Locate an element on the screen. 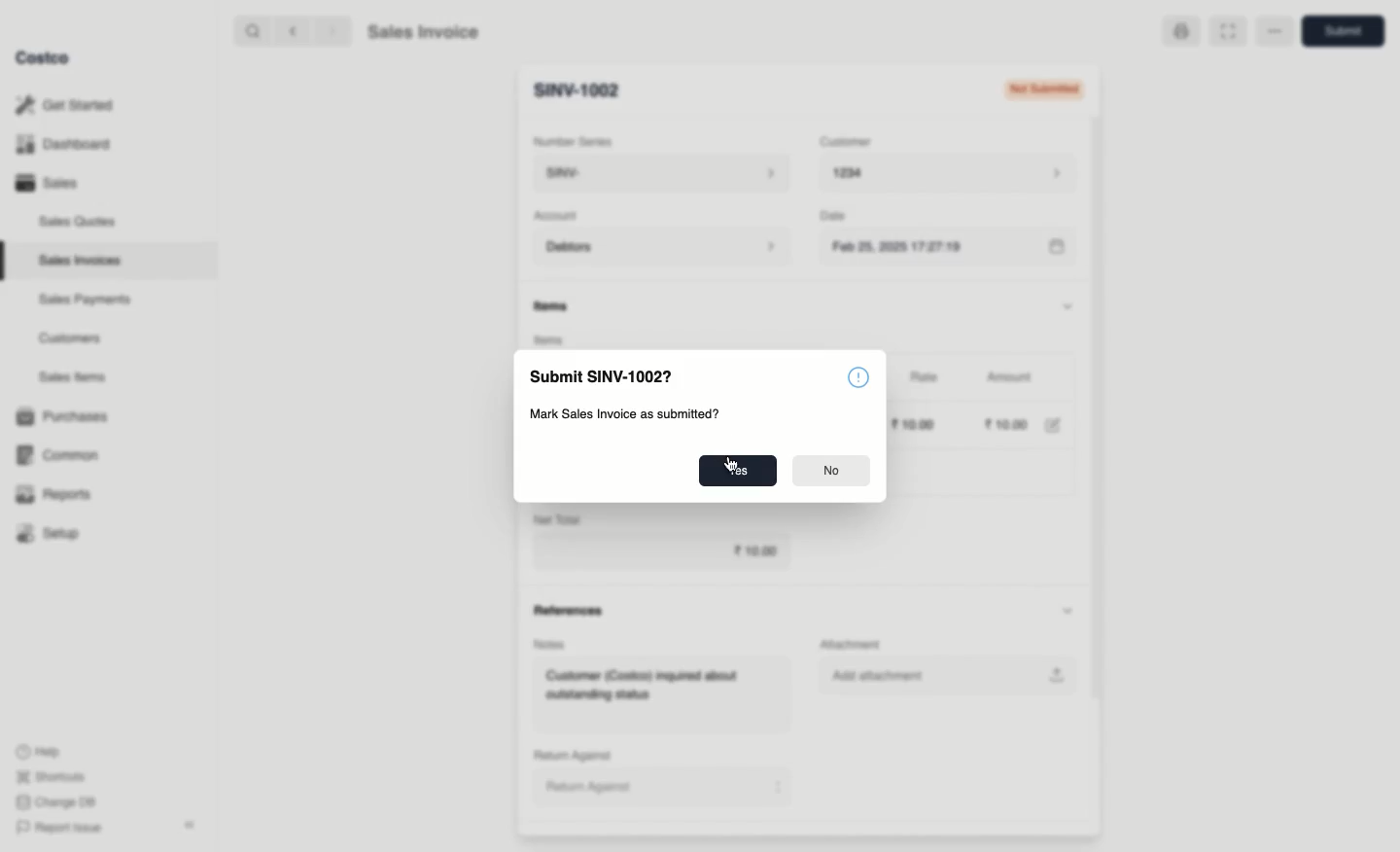  Customers is located at coordinates (68, 337).